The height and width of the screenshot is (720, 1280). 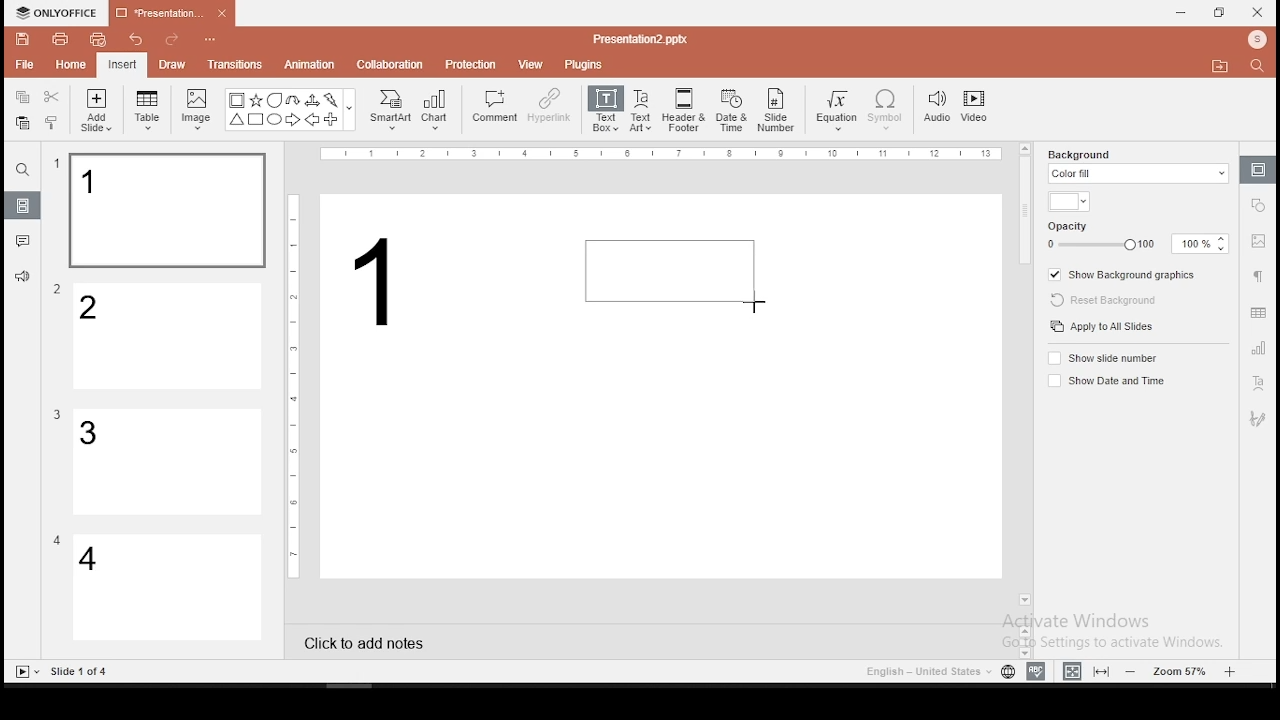 What do you see at coordinates (350, 111) in the screenshot?
I see `` at bounding box center [350, 111].